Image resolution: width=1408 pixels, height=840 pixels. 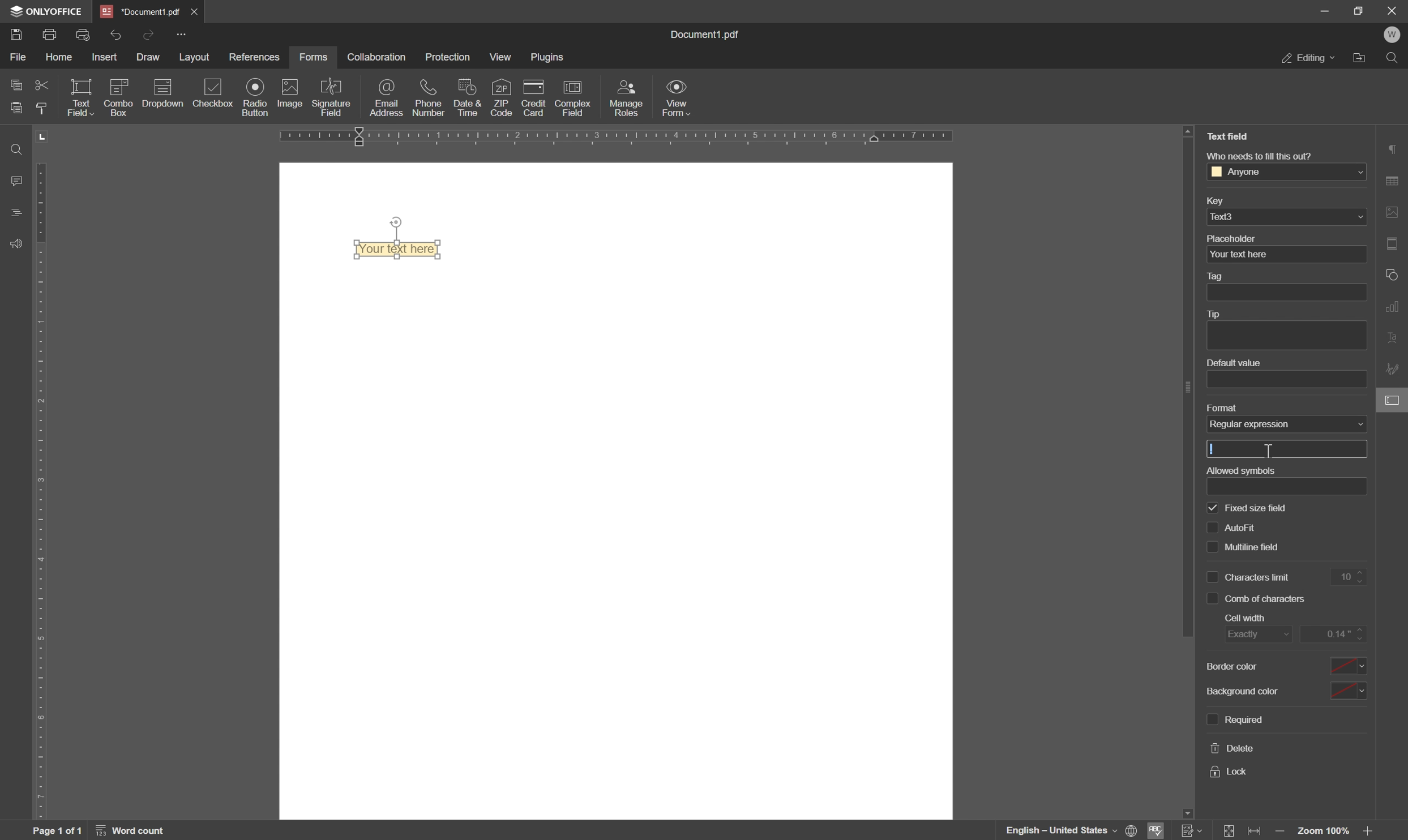 What do you see at coordinates (1218, 314) in the screenshot?
I see `tip` at bounding box center [1218, 314].